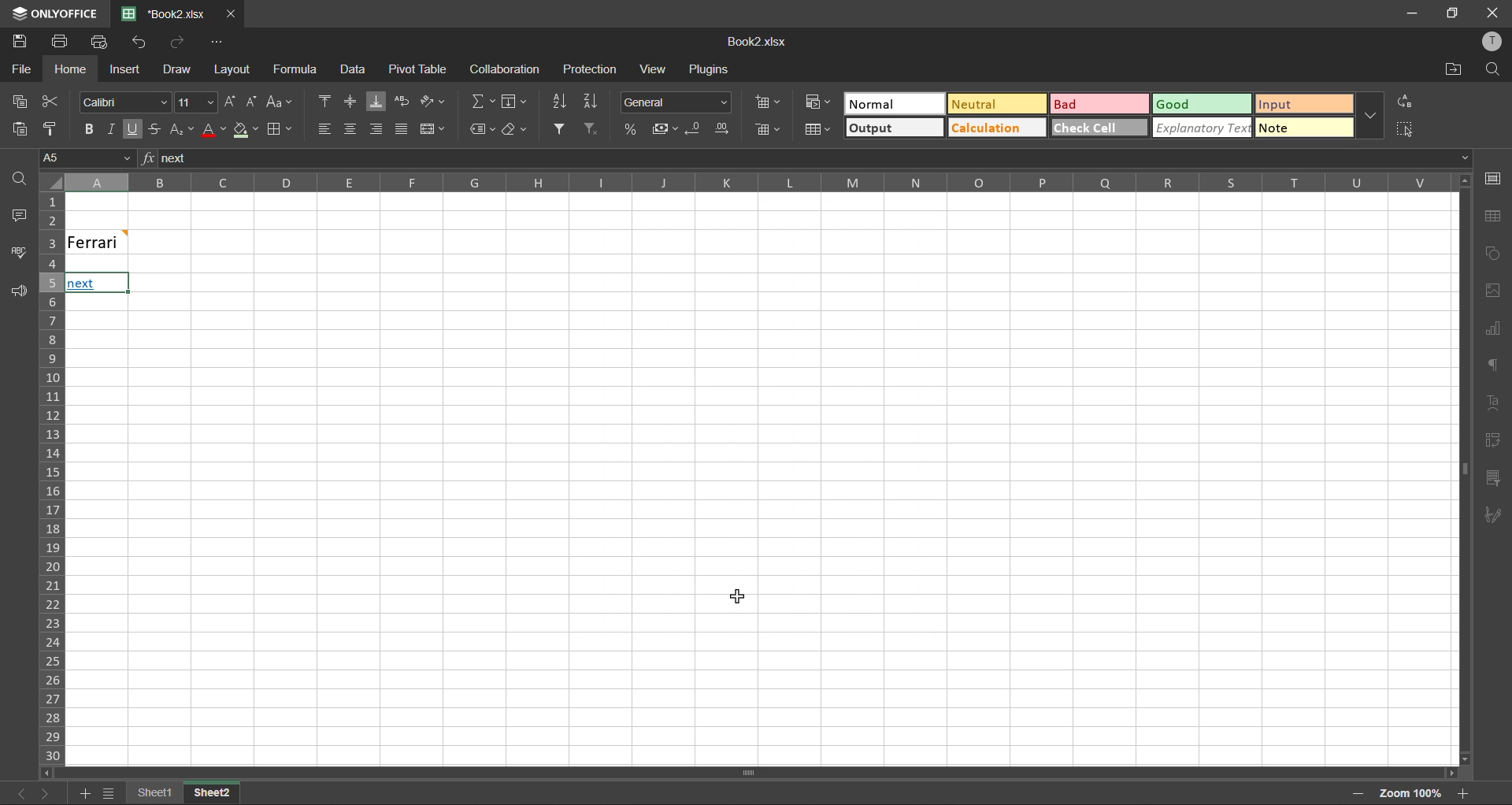 Image resolution: width=1512 pixels, height=805 pixels. Describe the element at coordinates (1405, 99) in the screenshot. I see `replace` at that location.